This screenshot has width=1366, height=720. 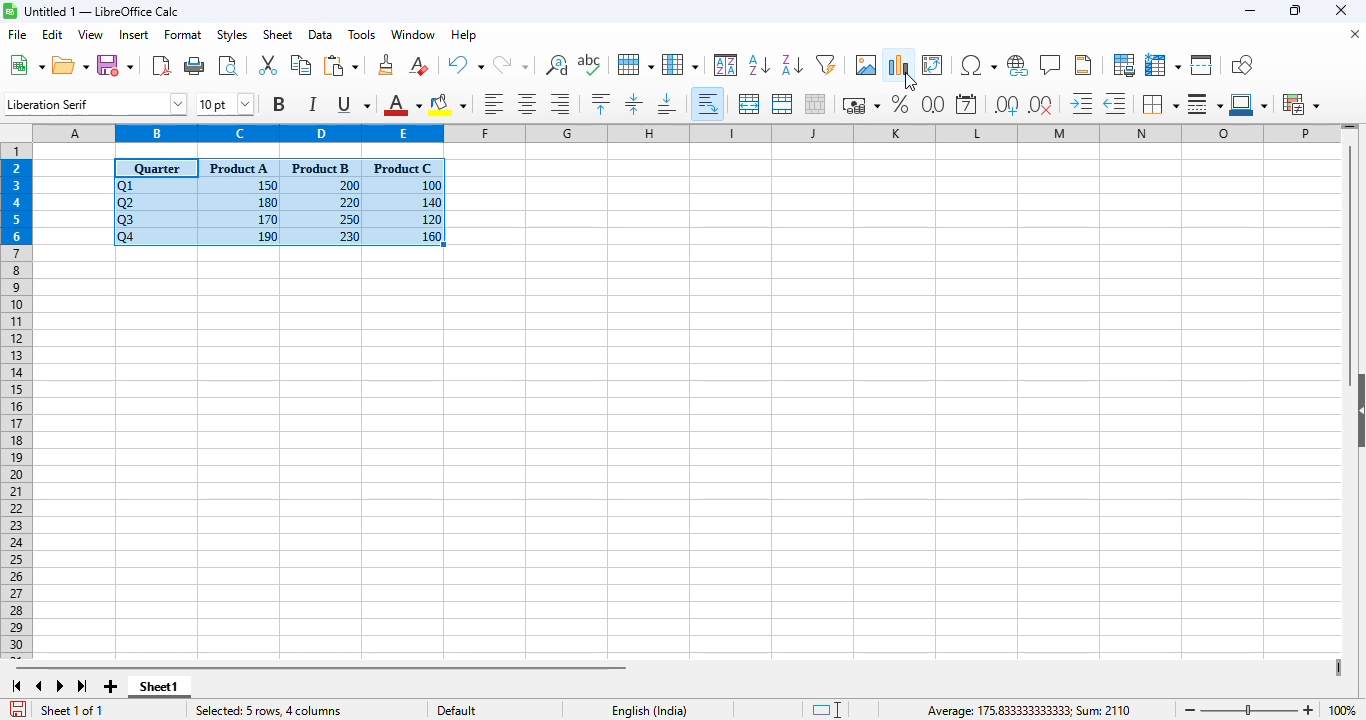 What do you see at coordinates (1083, 65) in the screenshot?
I see `headers and footers` at bounding box center [1083, 65].